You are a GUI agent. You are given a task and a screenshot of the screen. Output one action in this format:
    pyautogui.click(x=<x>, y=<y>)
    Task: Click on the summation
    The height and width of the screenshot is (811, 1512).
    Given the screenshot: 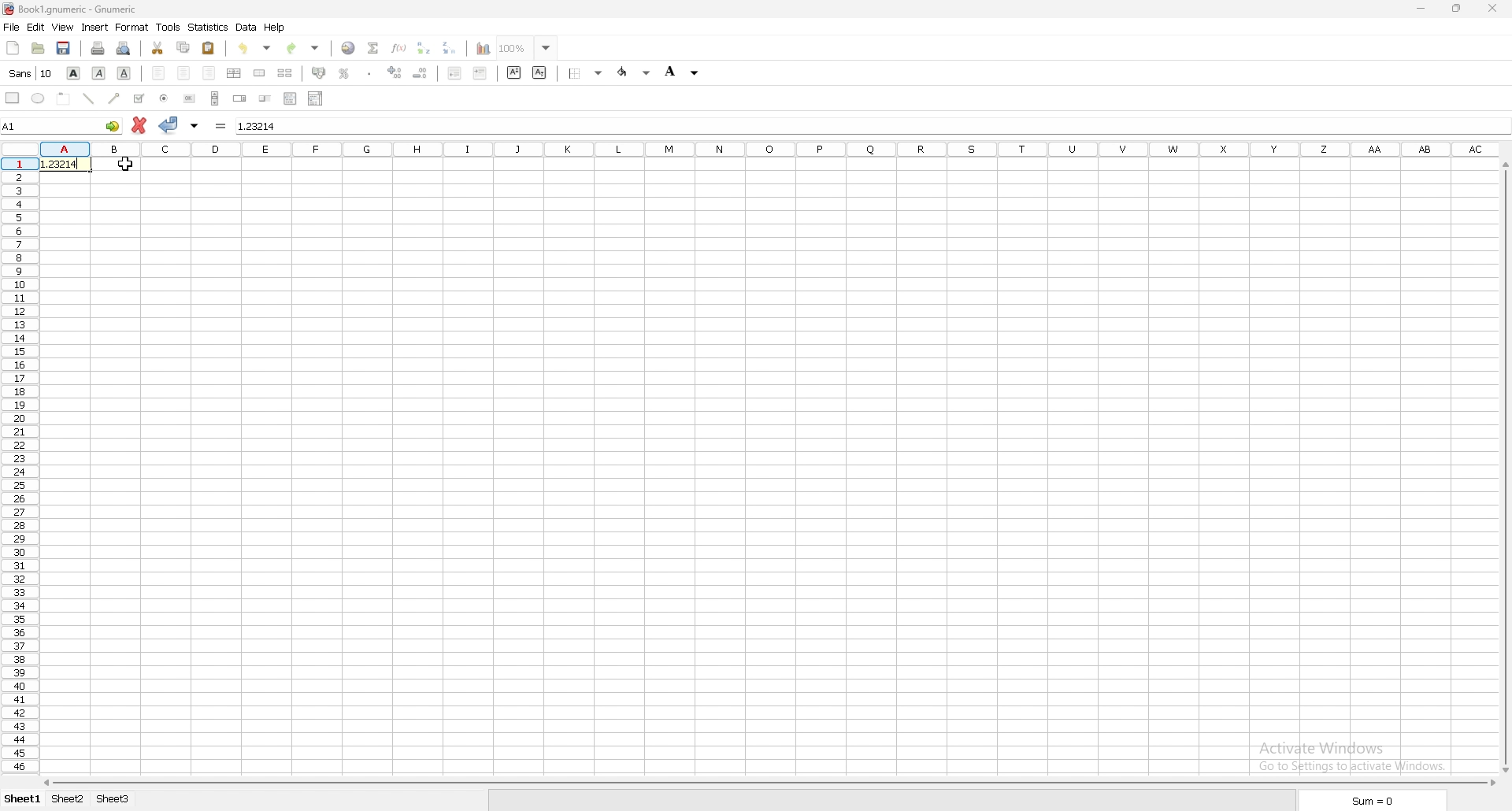 What is the action you would take?
    pyautogui.click(x=373, y=48)
    